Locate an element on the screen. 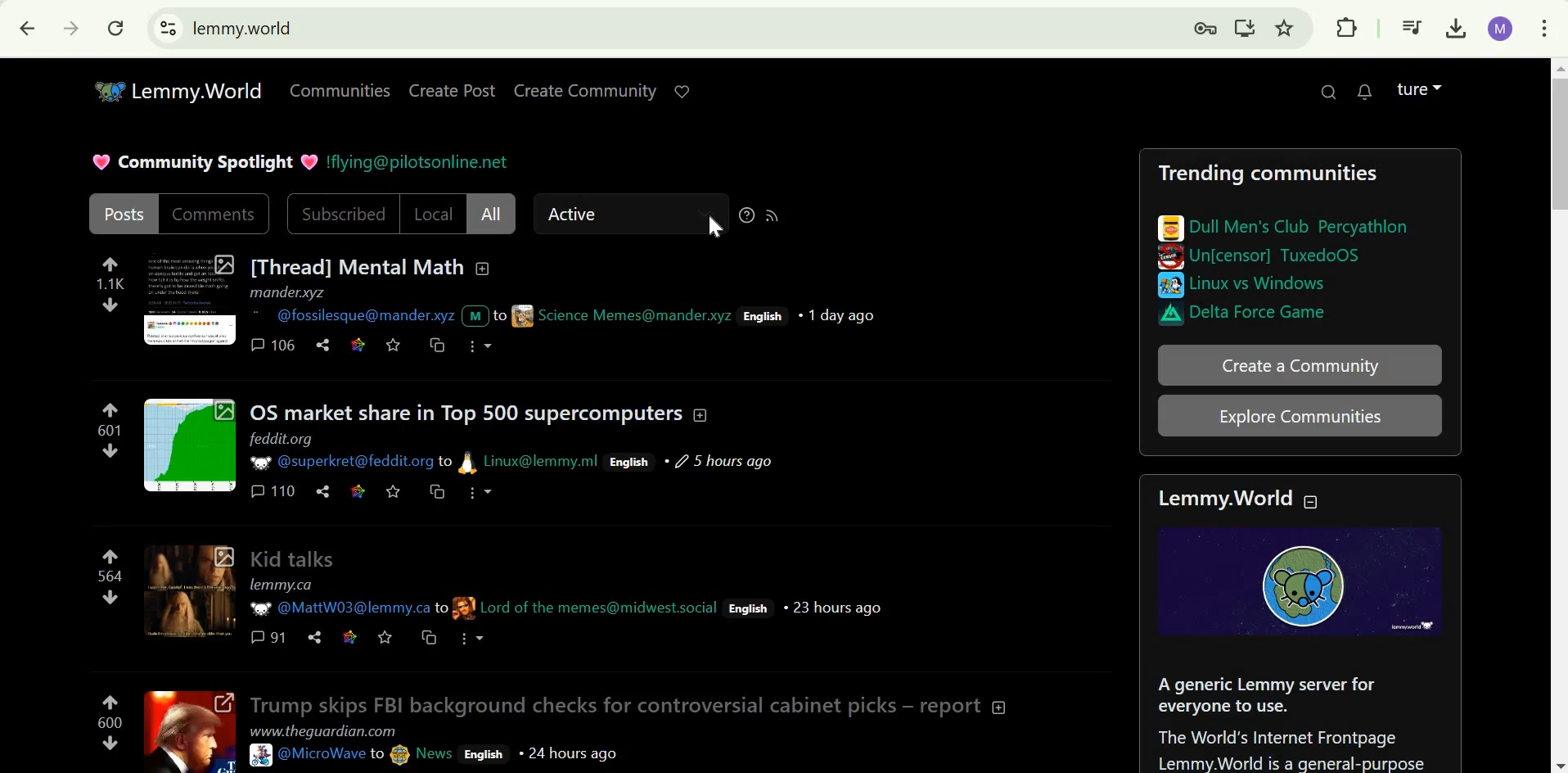 The width and height of the screenshot is (1568, 773). Comments is located at coordinates (212, 211).